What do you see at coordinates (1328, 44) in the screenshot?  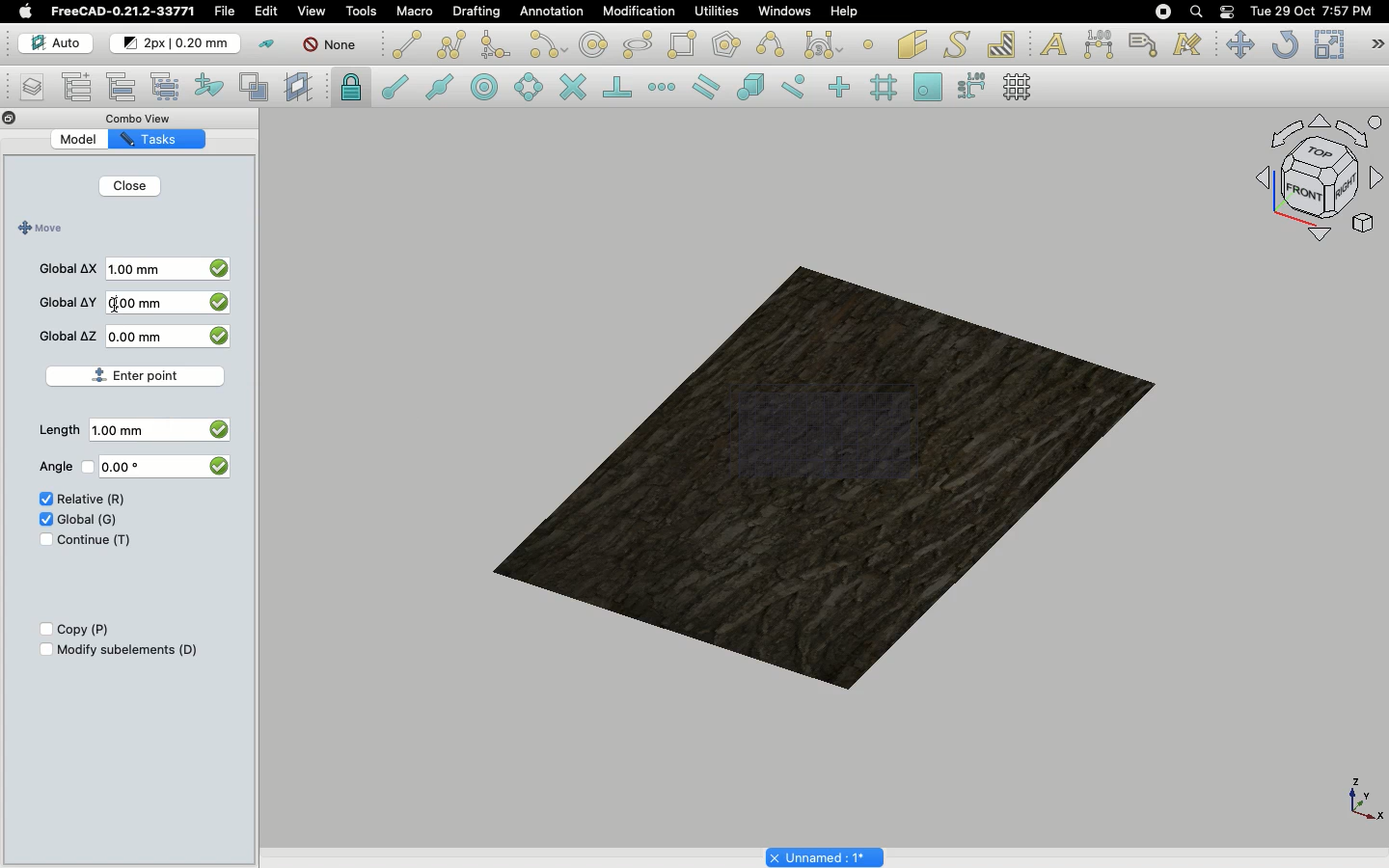 I see `Scale` at bounding box center [1328, 44].